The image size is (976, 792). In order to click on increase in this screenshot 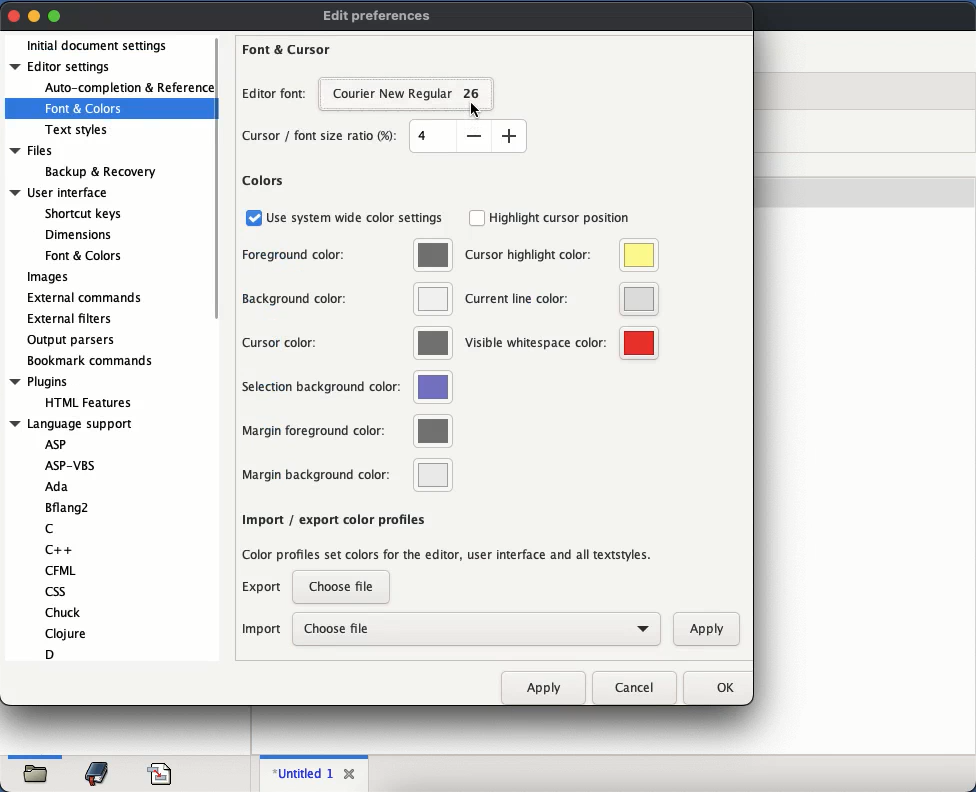, I will do `click(509, 136)`.